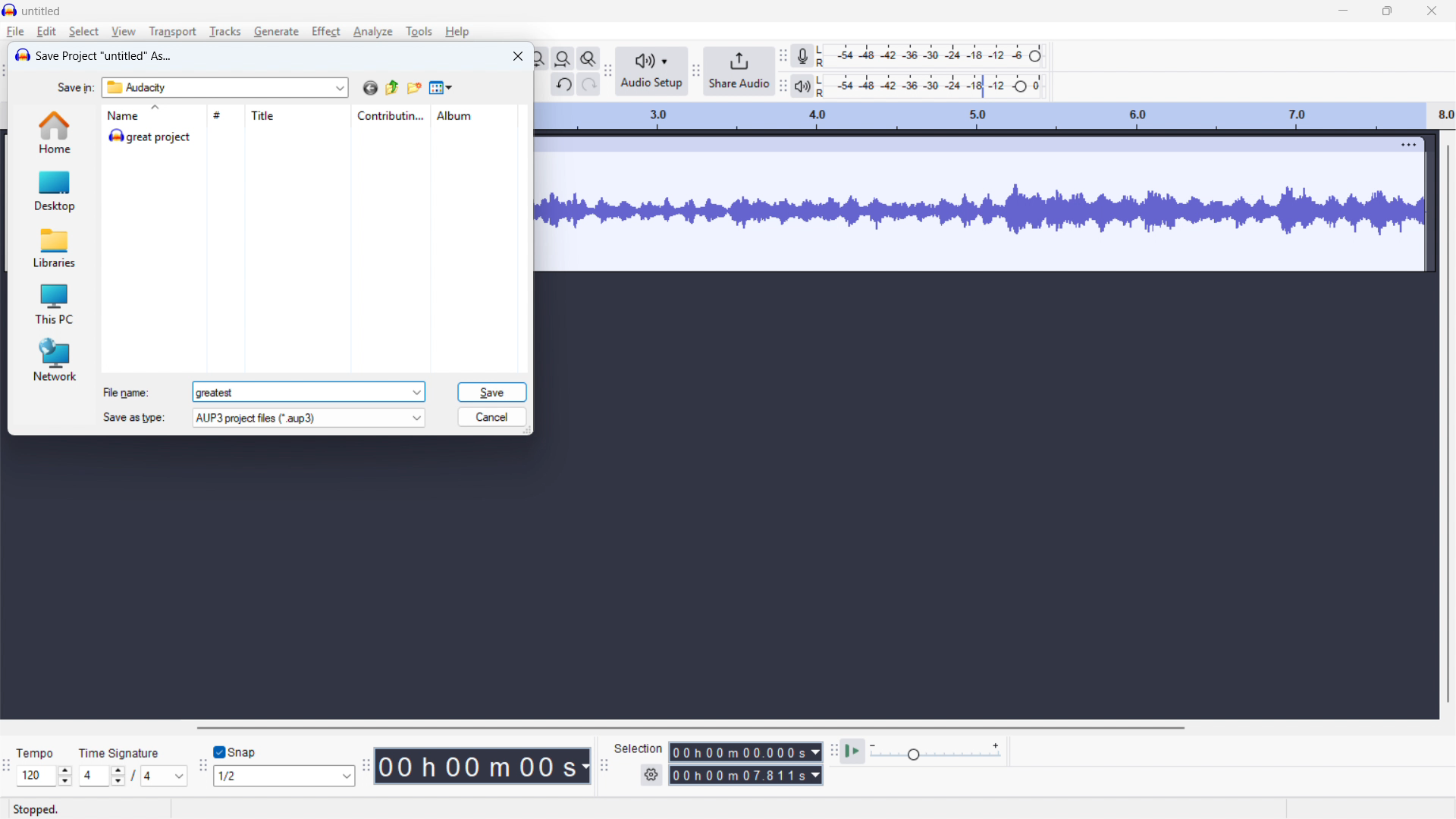 Image resolution: width=1456 pixels, height=819 pixels. I want to click on effect, so click(327, 30).